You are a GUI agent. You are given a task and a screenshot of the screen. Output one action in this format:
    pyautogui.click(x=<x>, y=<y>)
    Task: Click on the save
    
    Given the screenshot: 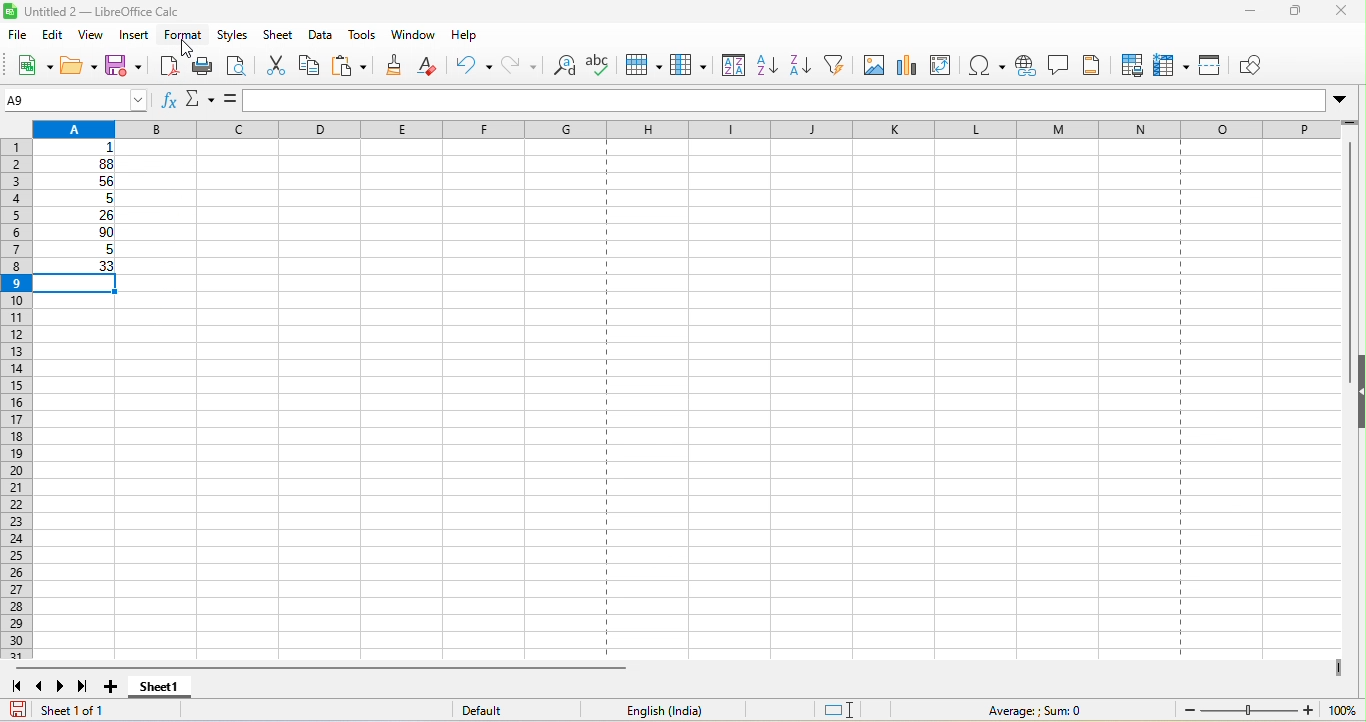 What is the action you would take?
    pyautogui.click(x=128, y=68)
    